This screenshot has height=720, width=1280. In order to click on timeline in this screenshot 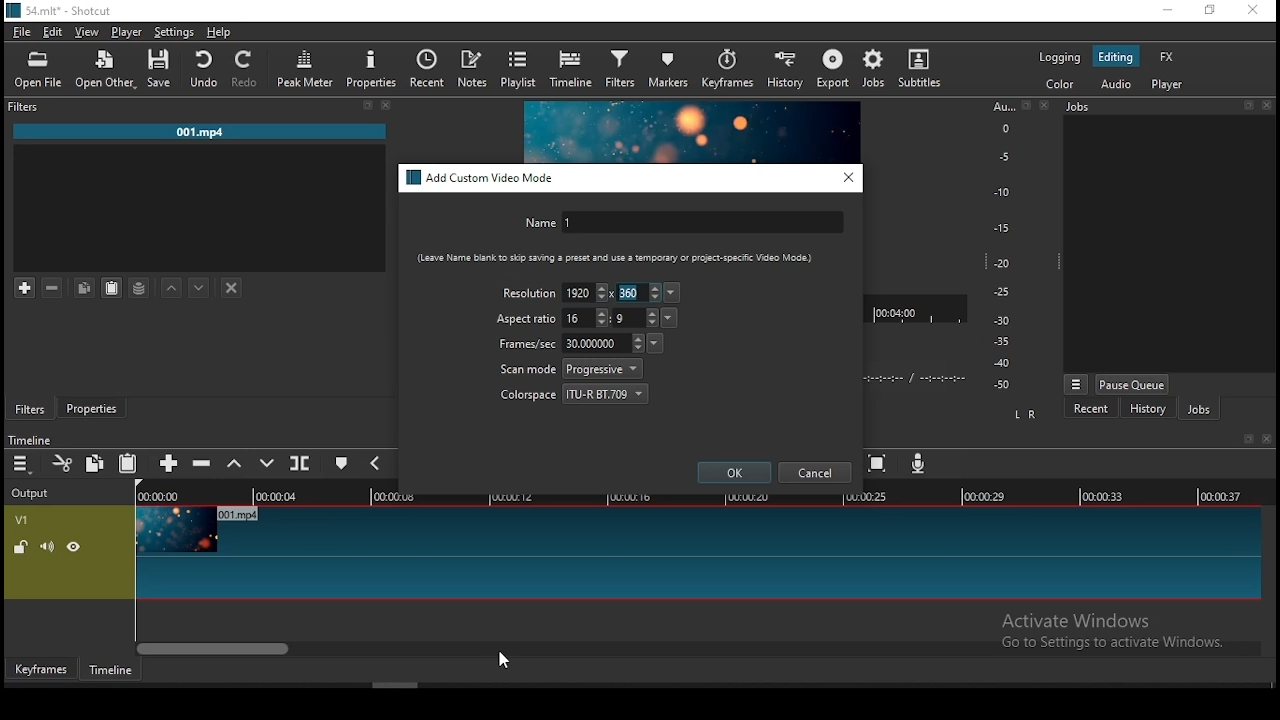, I will do `click(573, 69)`.